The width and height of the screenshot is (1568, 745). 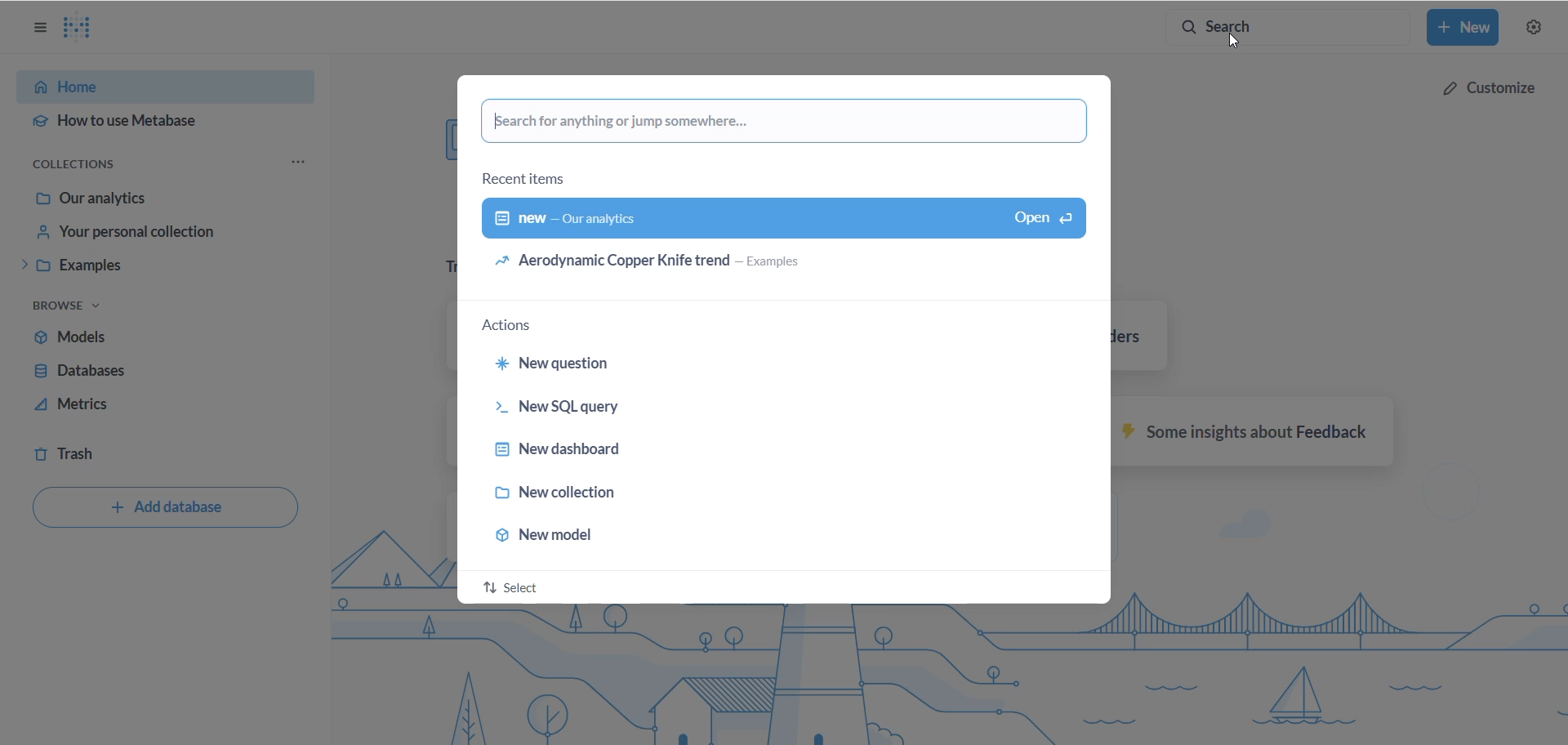 What do you see at coordinates (138, 267) in the screenshot?
I see `examples` at bounding box center [138, 267].